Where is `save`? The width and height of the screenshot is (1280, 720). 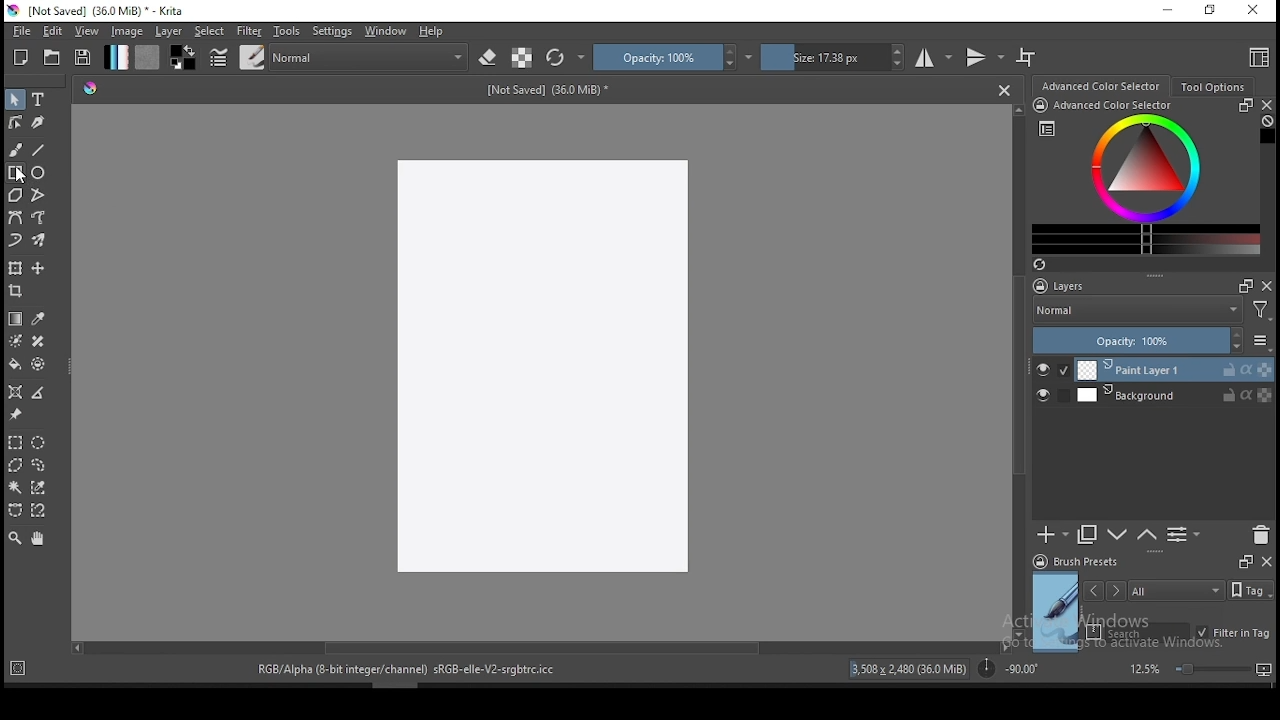
save is located at coordinates (83, 58).